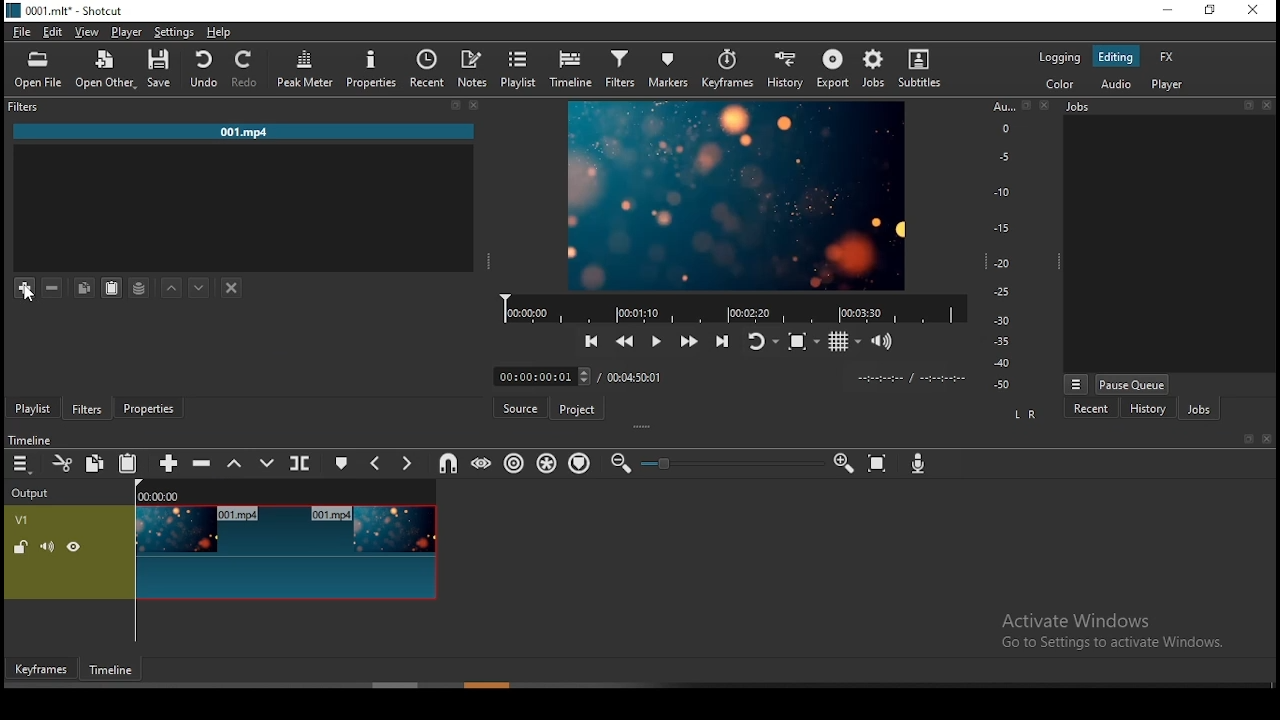  What do you see at coordinates (522, 71) in the screenshot?
I see `playlist` at bounding box center [522, 71].